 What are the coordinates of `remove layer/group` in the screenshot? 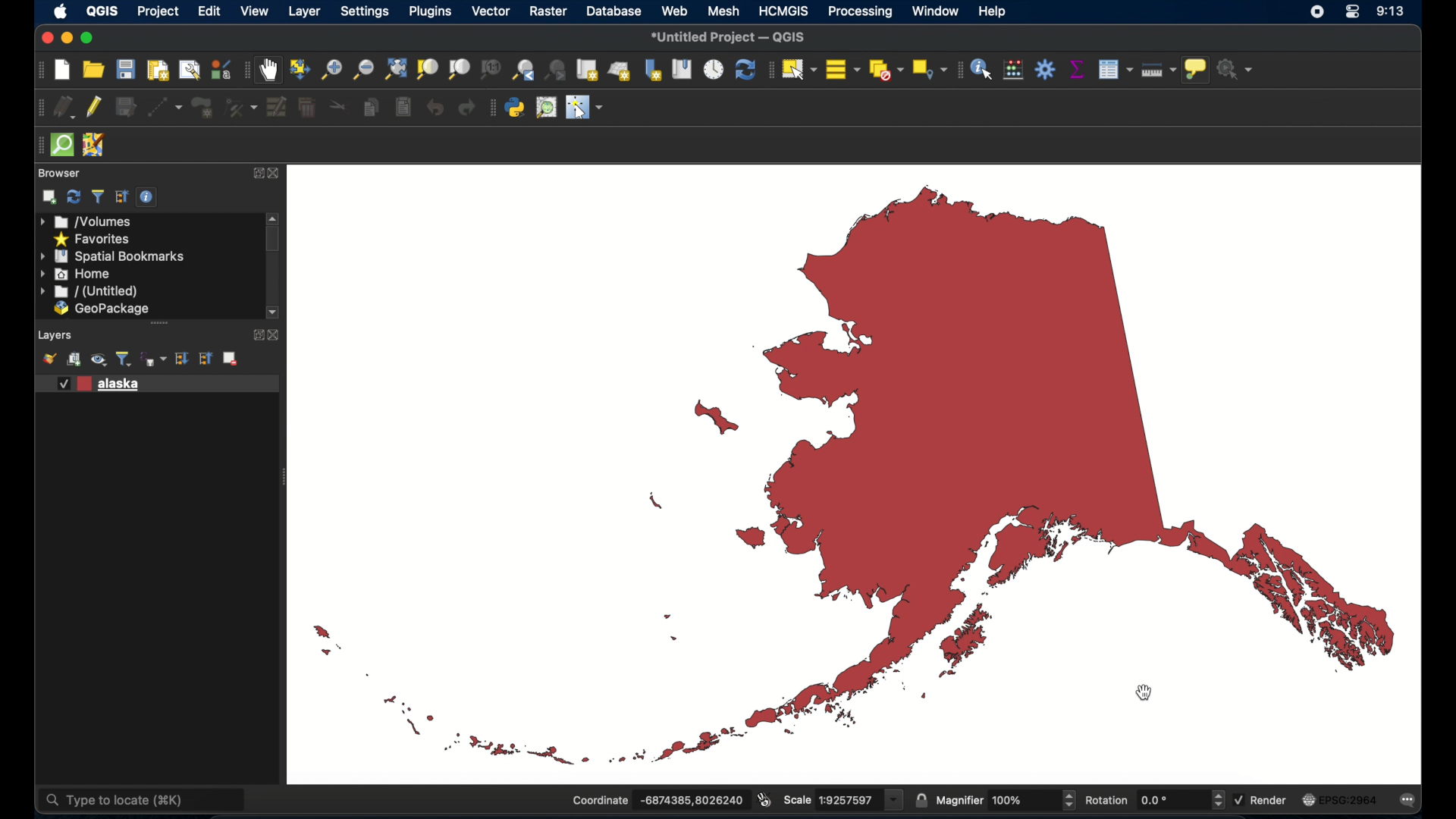 It's located at (231, 359).